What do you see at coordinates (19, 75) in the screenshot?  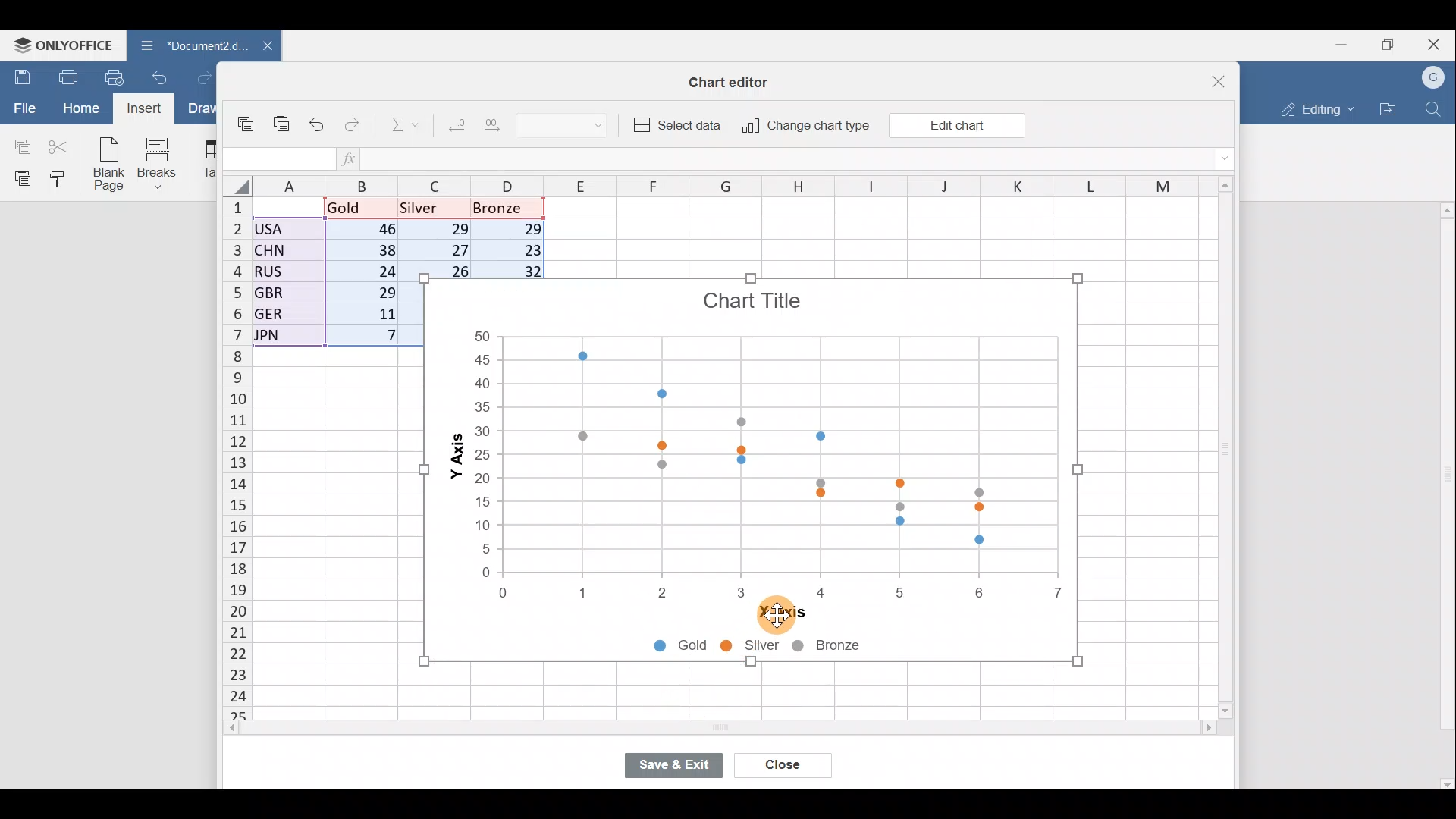 I see `Save` at bounding box center [19, 75].